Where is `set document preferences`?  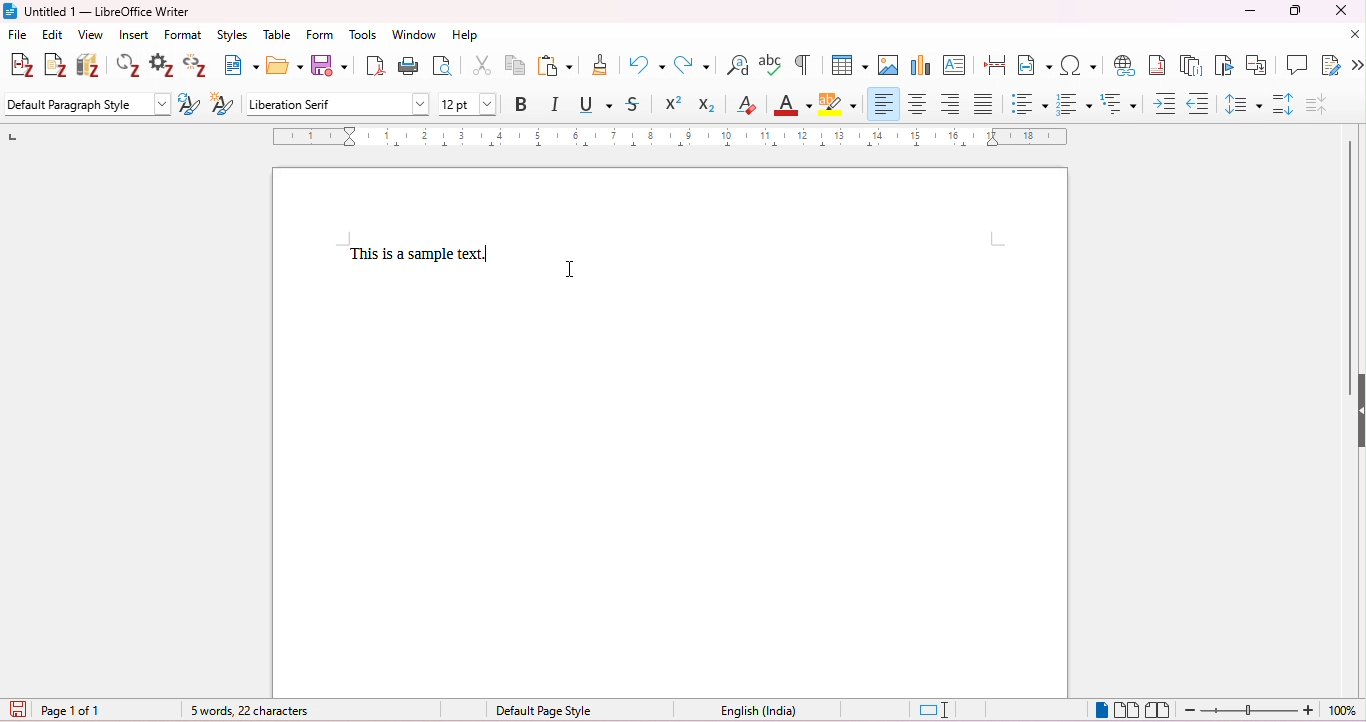 set document preferences is located at coordinates (164, 66).